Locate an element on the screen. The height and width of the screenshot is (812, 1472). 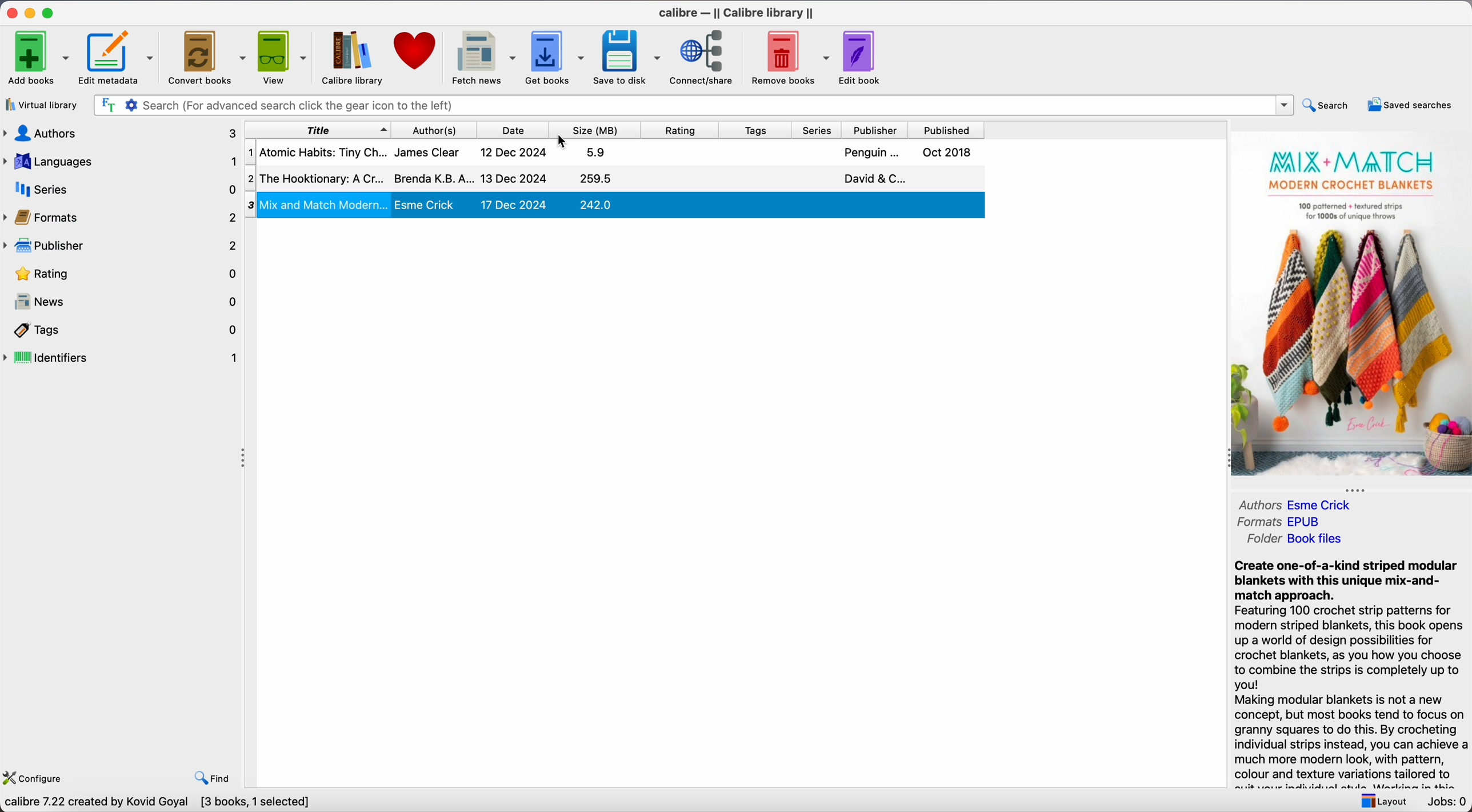
news is located at coordinates (127, 304).